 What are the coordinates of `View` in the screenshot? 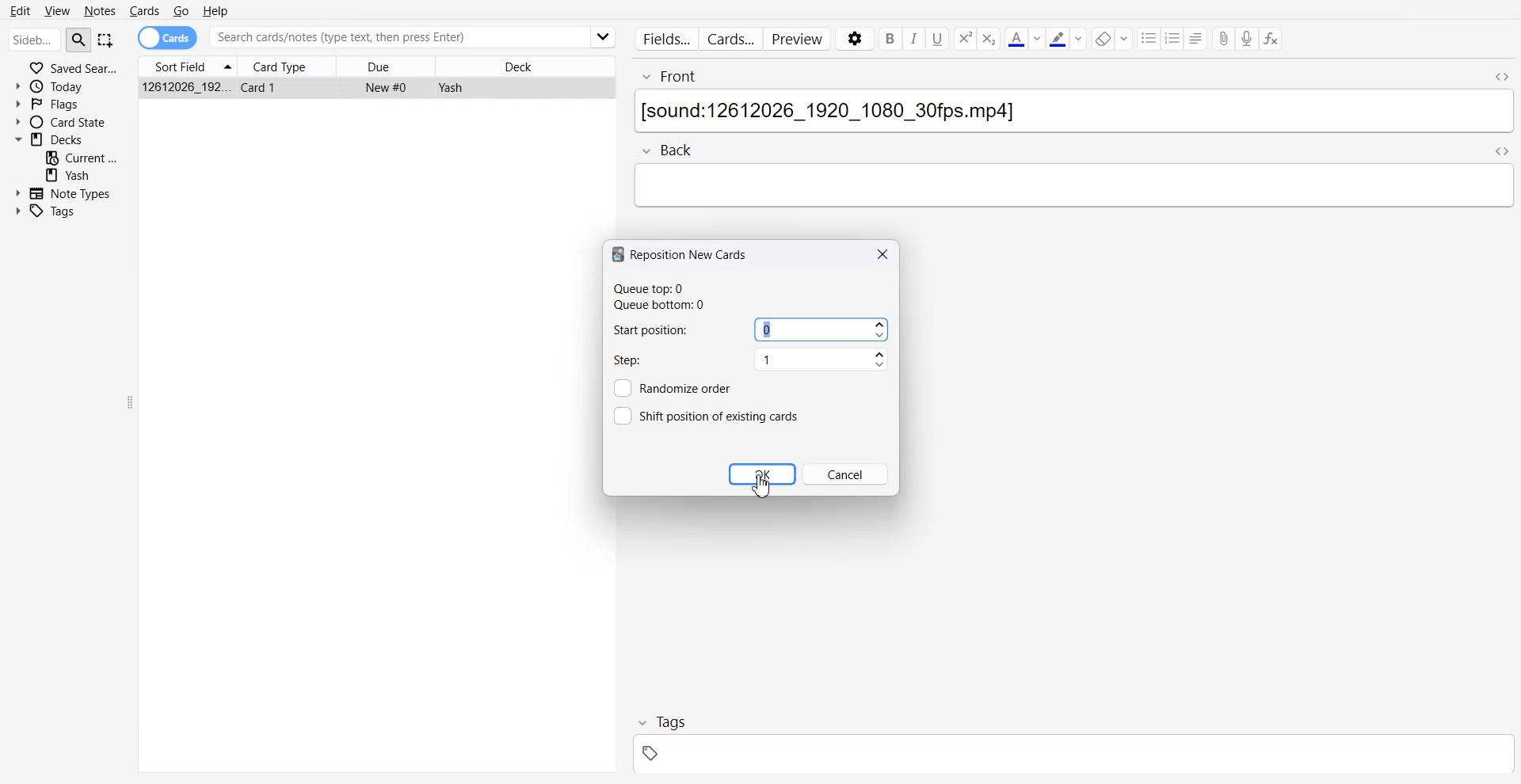 It's located at (56, 10).